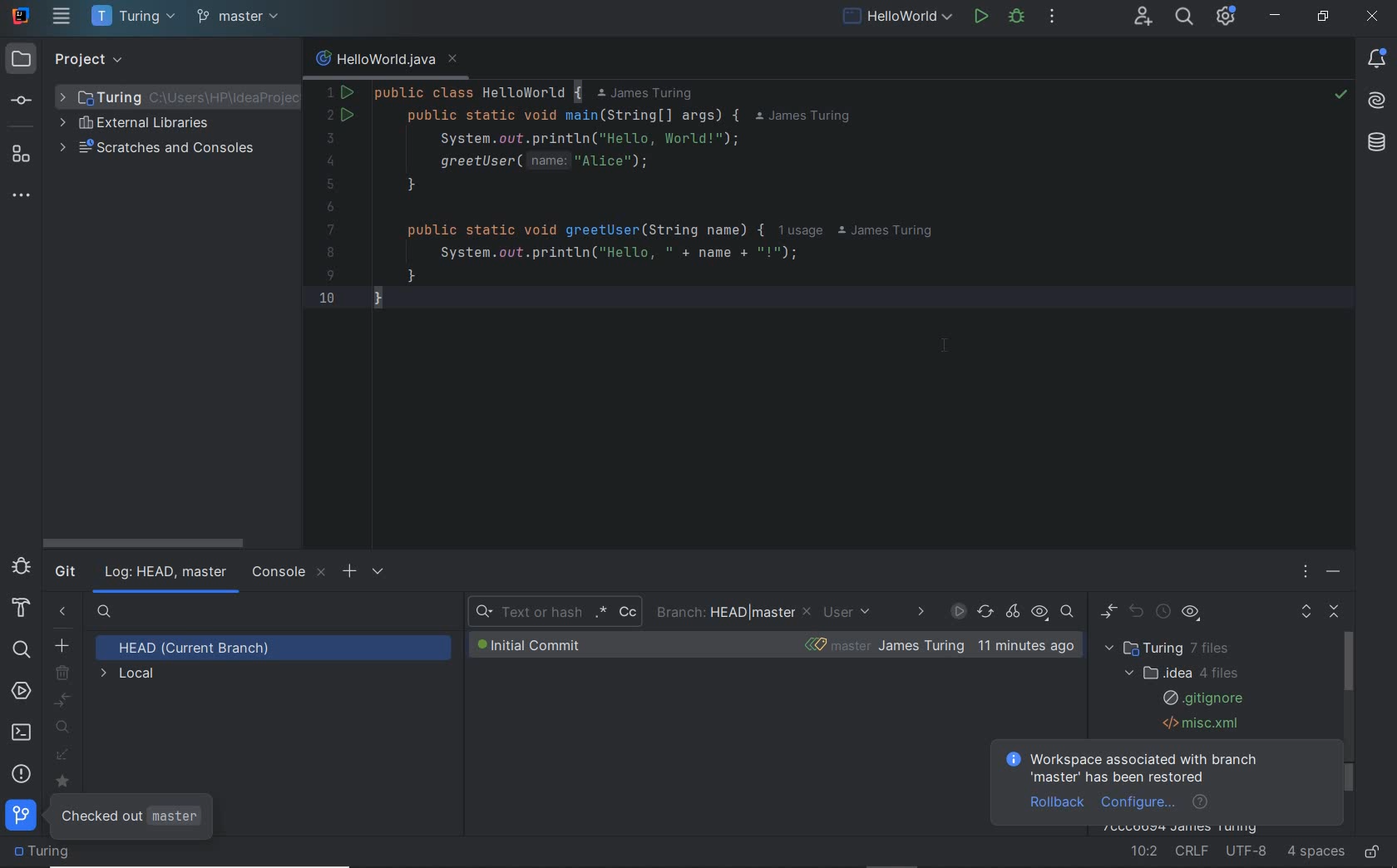 The image size is (1397, 868). I want to click on git, so click(65, 573).